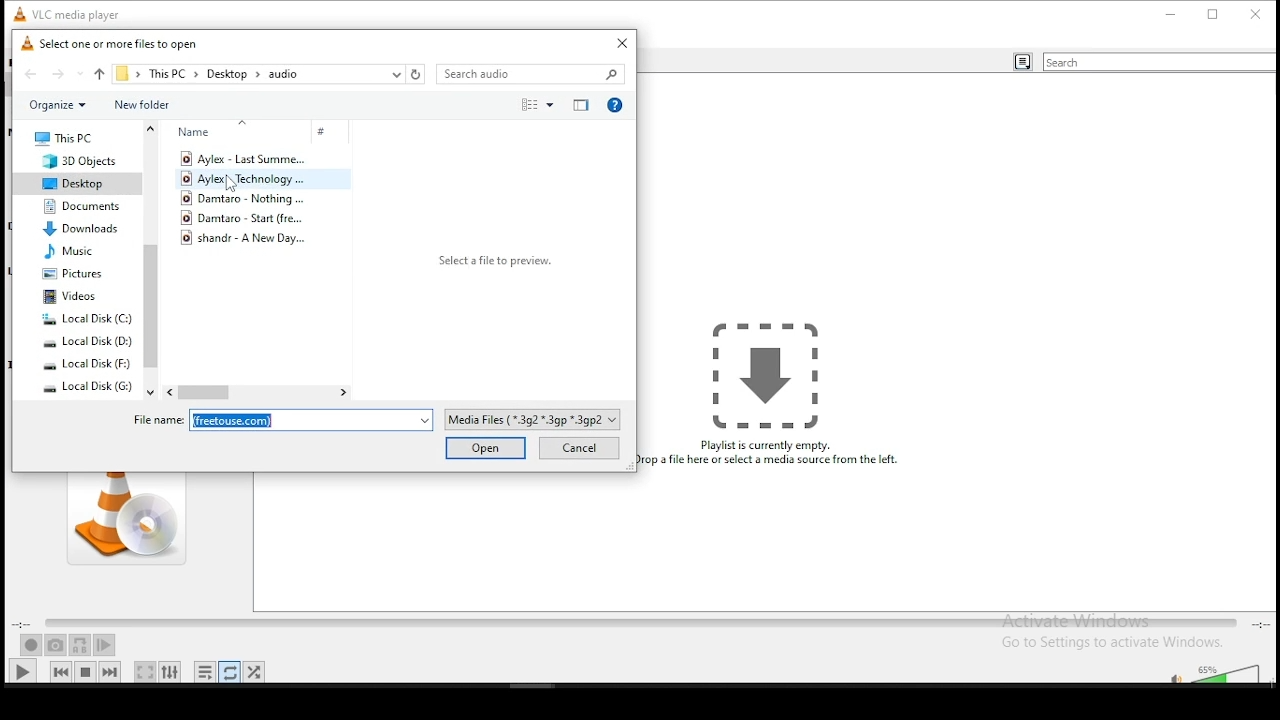 The image size is (1280, 720). Describe the element at coordinates (580, 103) in the screenshot. I see `close preview pane` at that location.